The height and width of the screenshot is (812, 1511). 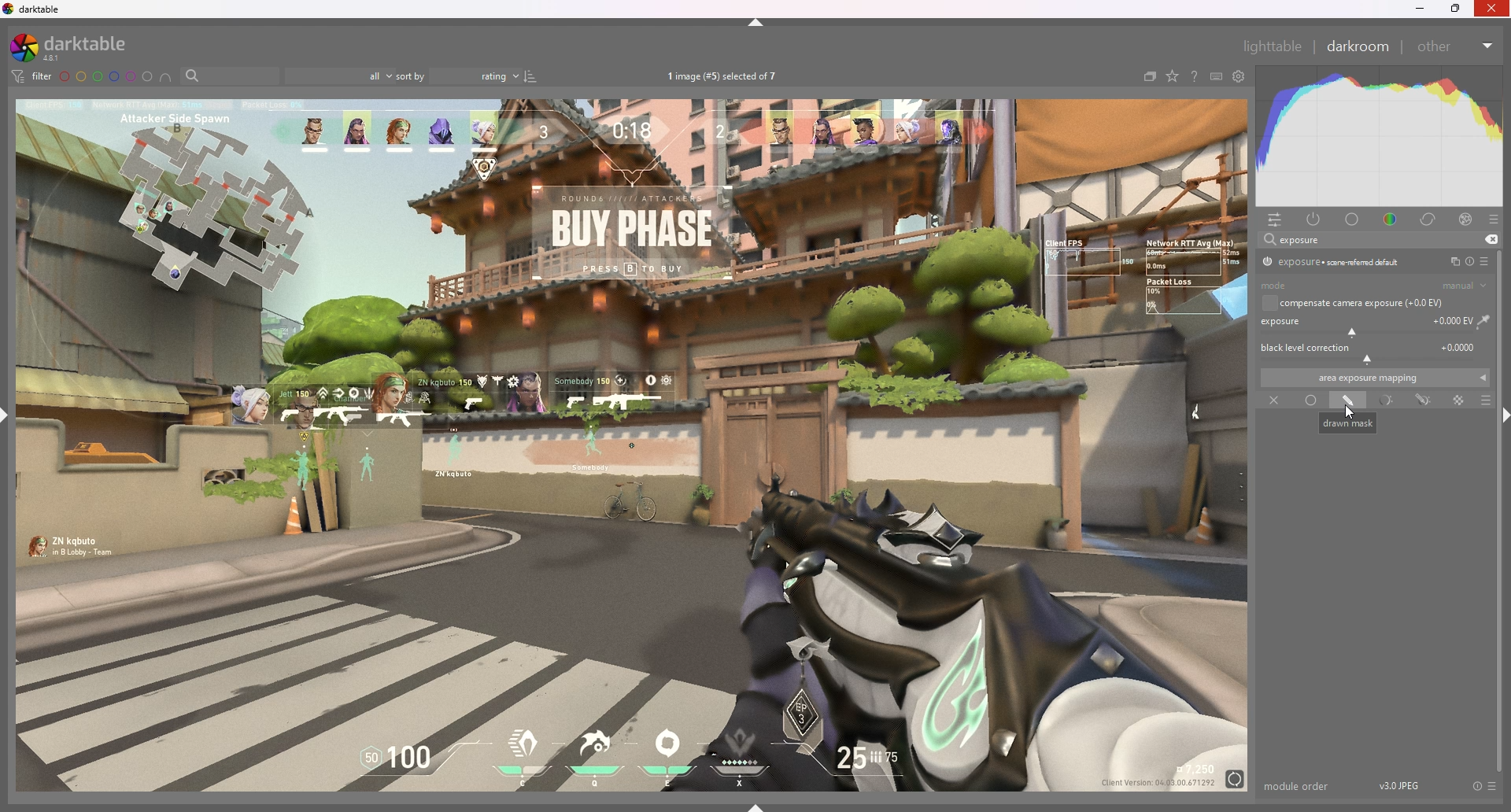 I want to click on hide, so click(x=756, y=23).